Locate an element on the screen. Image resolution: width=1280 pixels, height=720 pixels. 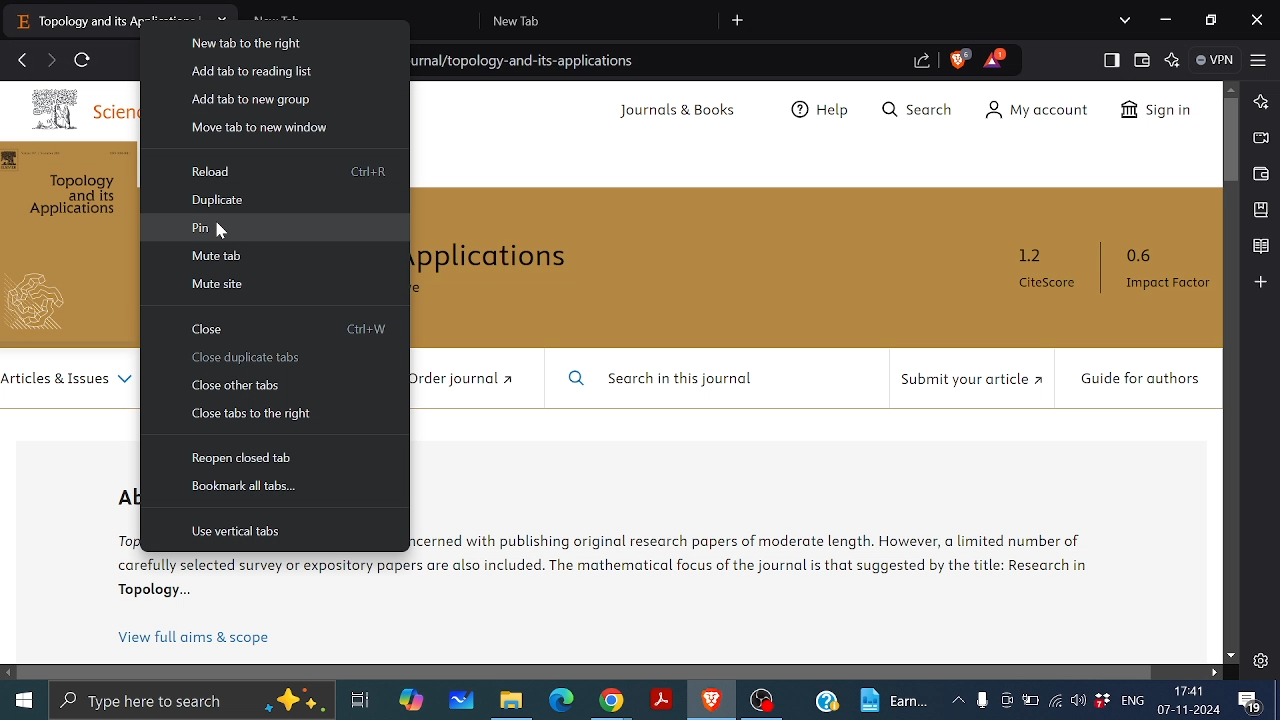
Articles & Issues is located at coordinates (69, 380).